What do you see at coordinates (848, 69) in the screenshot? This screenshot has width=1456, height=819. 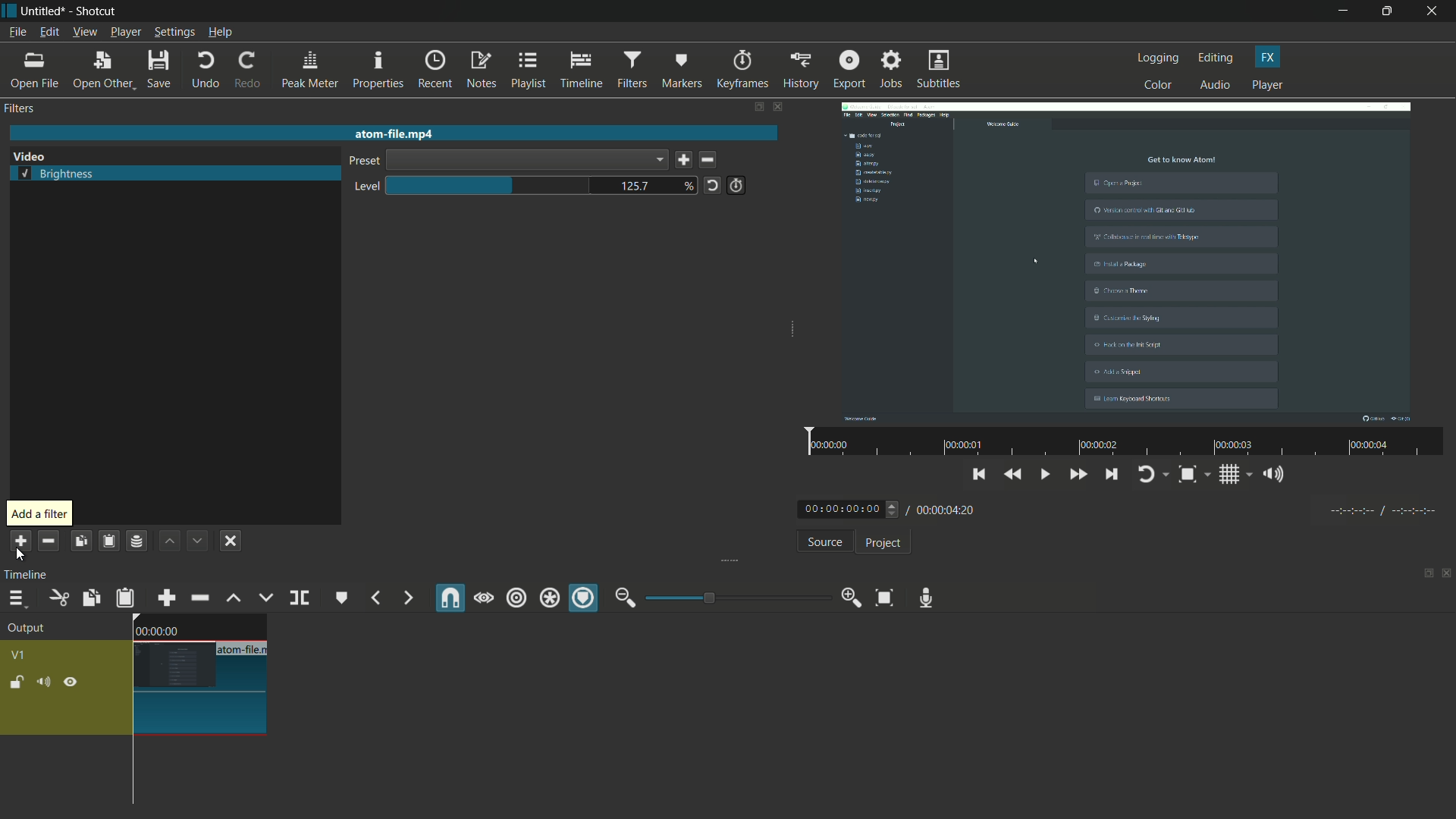 I see `export` at bounding box center [848, 69].